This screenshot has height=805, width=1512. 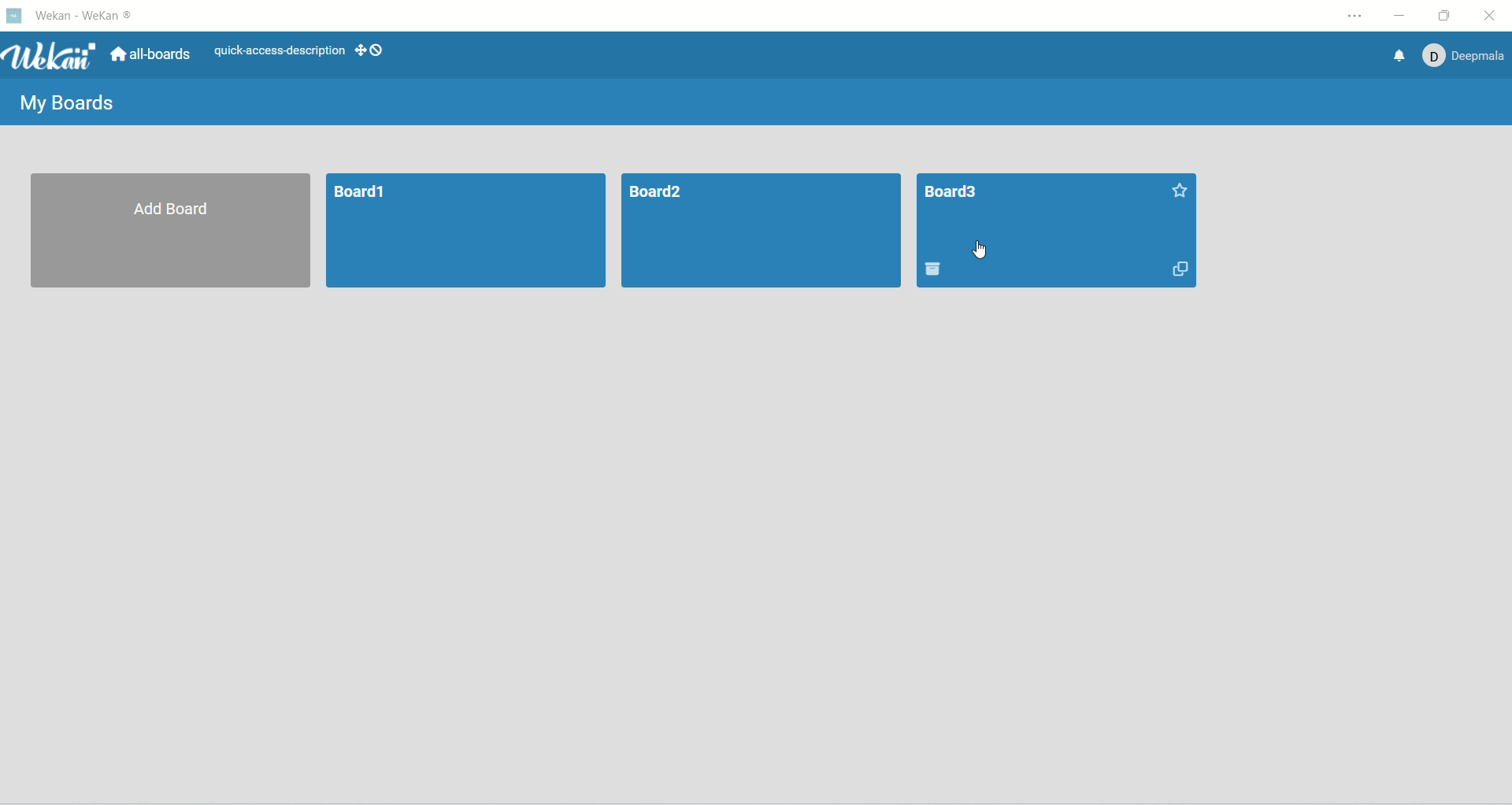 I want to click on wekan-wekan, so click(x=89, y=16).